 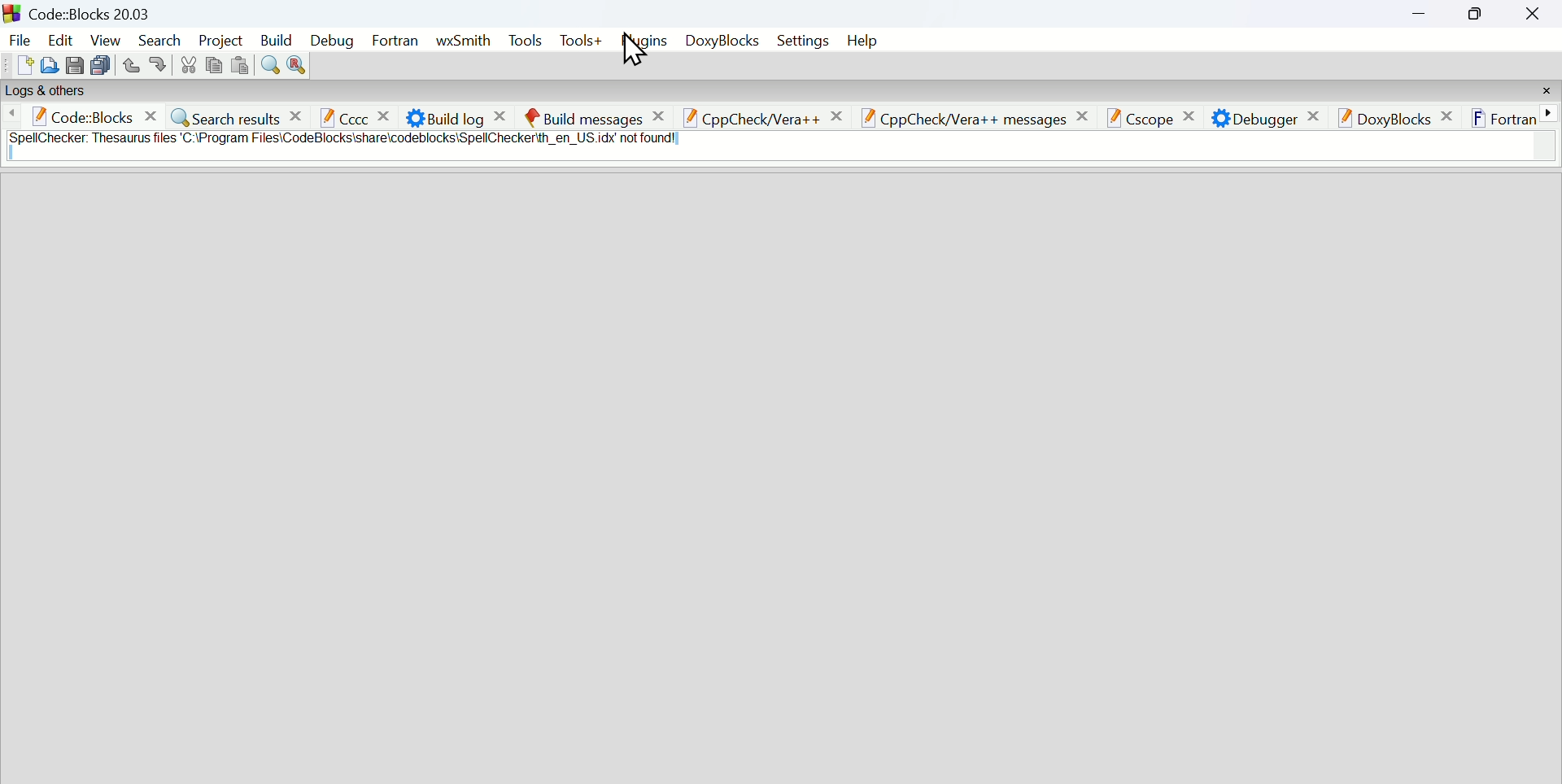 I want to click on Tools , so click(x=524, y=40).